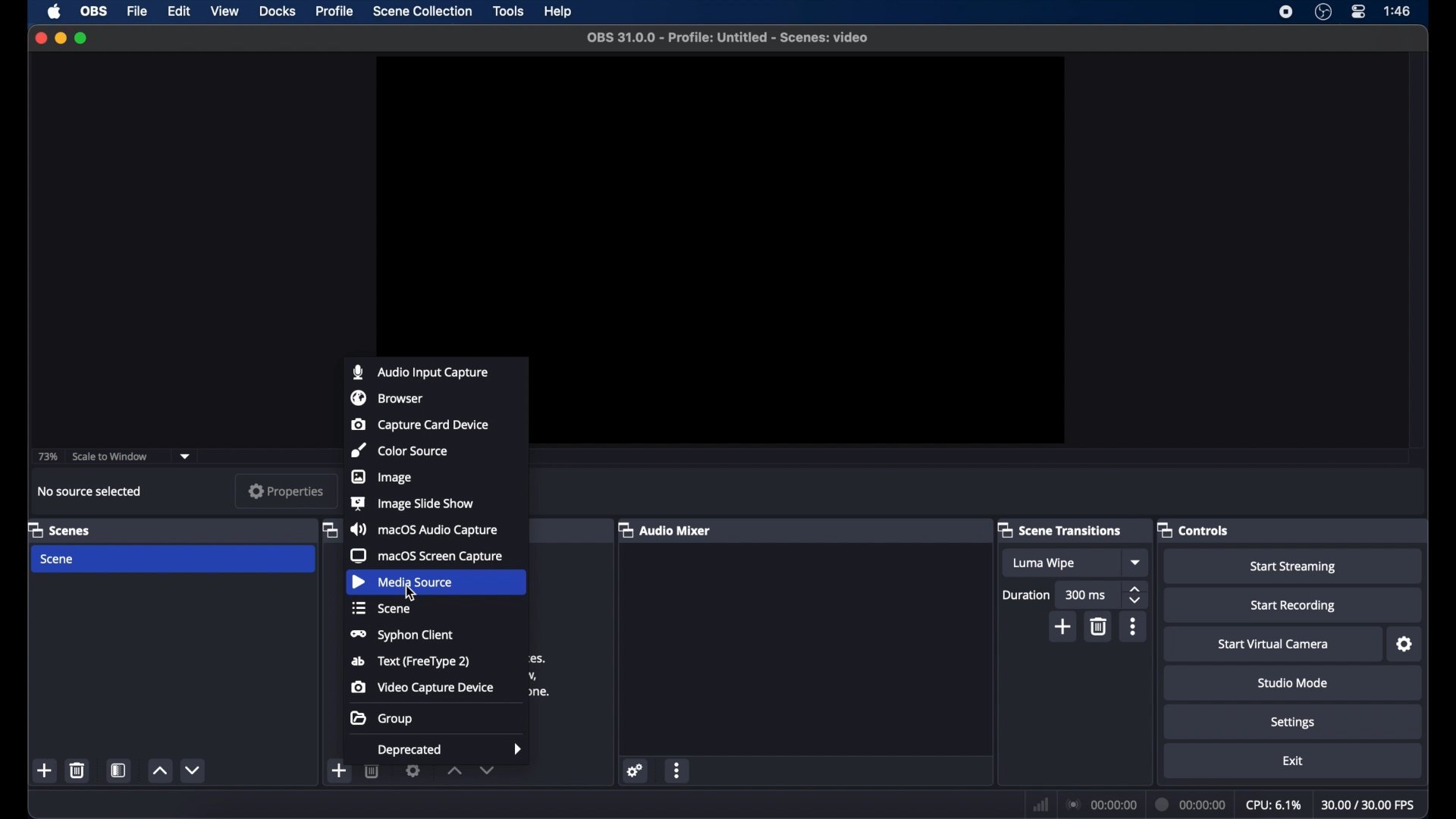 The width and height of the screenshot is (1456, 819). I want to click on profile, so click(335, 11).